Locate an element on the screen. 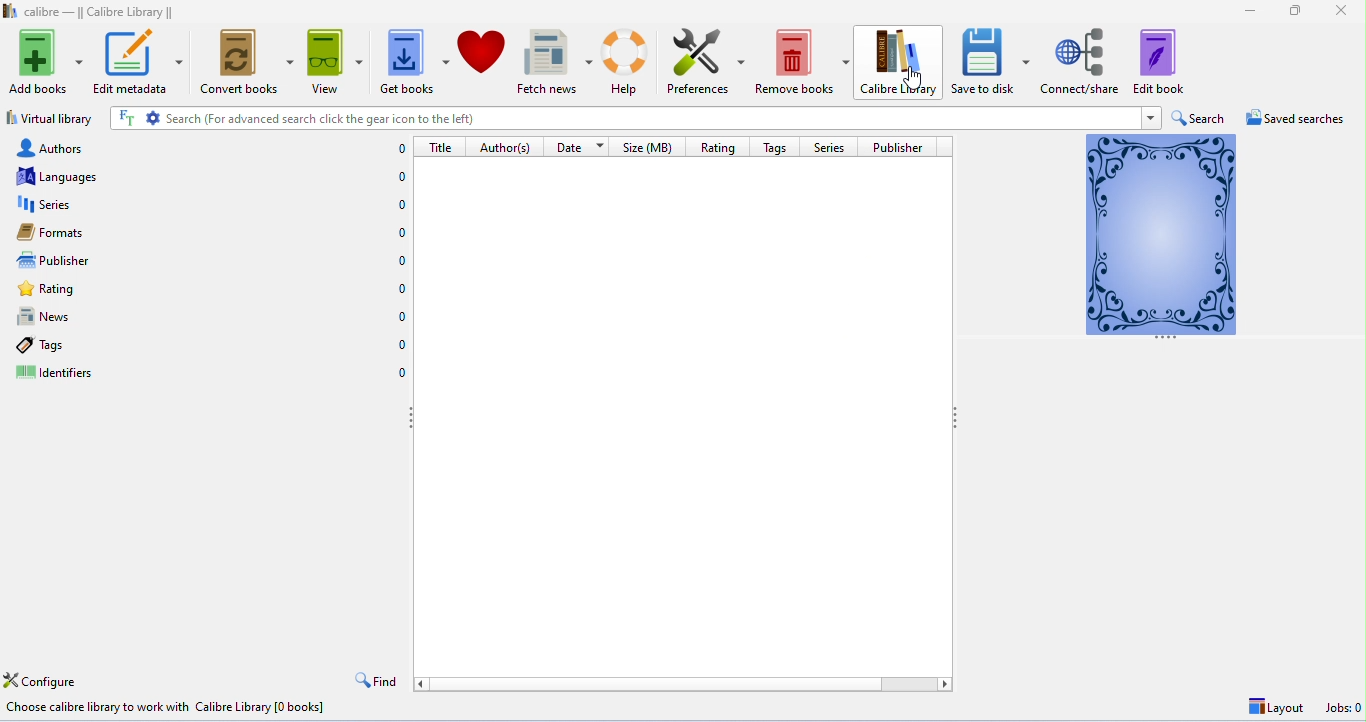 This screenshot has height=722, width=1366. calibre library is located at coordinates (902, 62).